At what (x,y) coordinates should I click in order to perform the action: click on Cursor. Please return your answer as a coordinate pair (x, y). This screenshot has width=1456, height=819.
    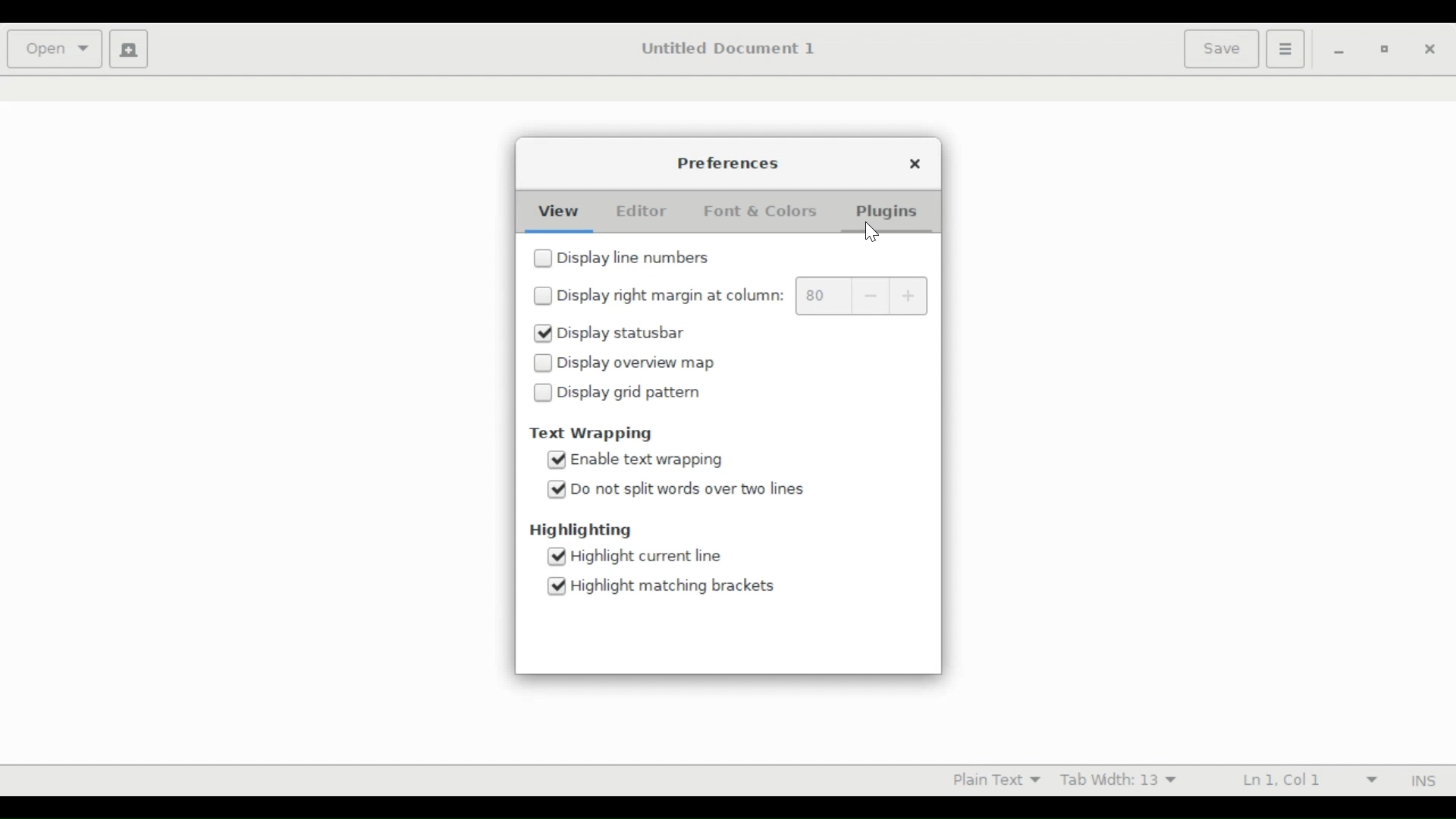
    Looking at the image, I should click on (871, 233).